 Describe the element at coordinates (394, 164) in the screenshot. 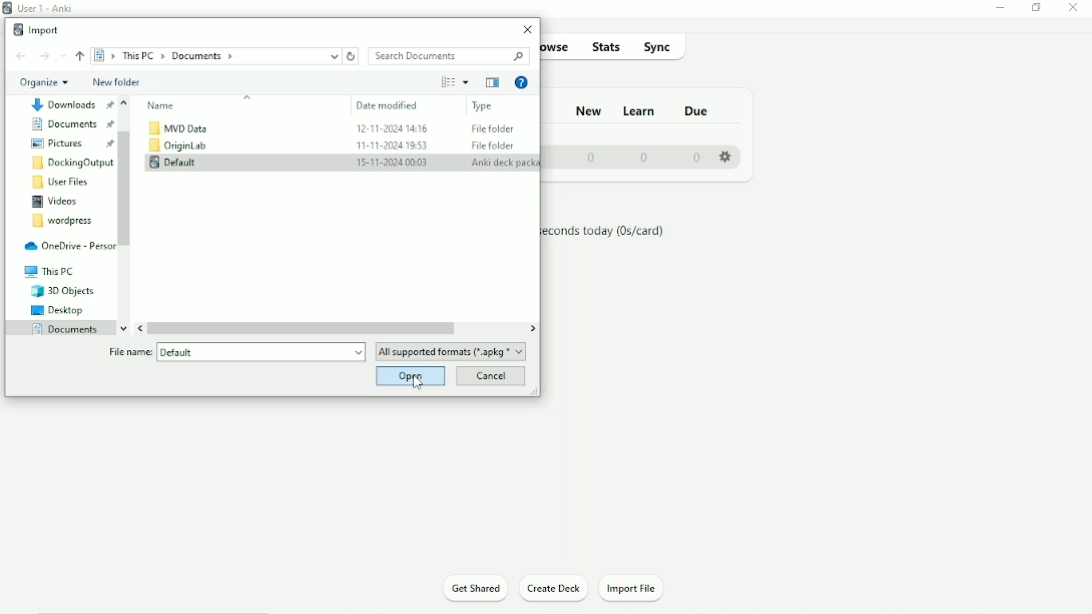

I see `15-11-2024    00:03` at that location.